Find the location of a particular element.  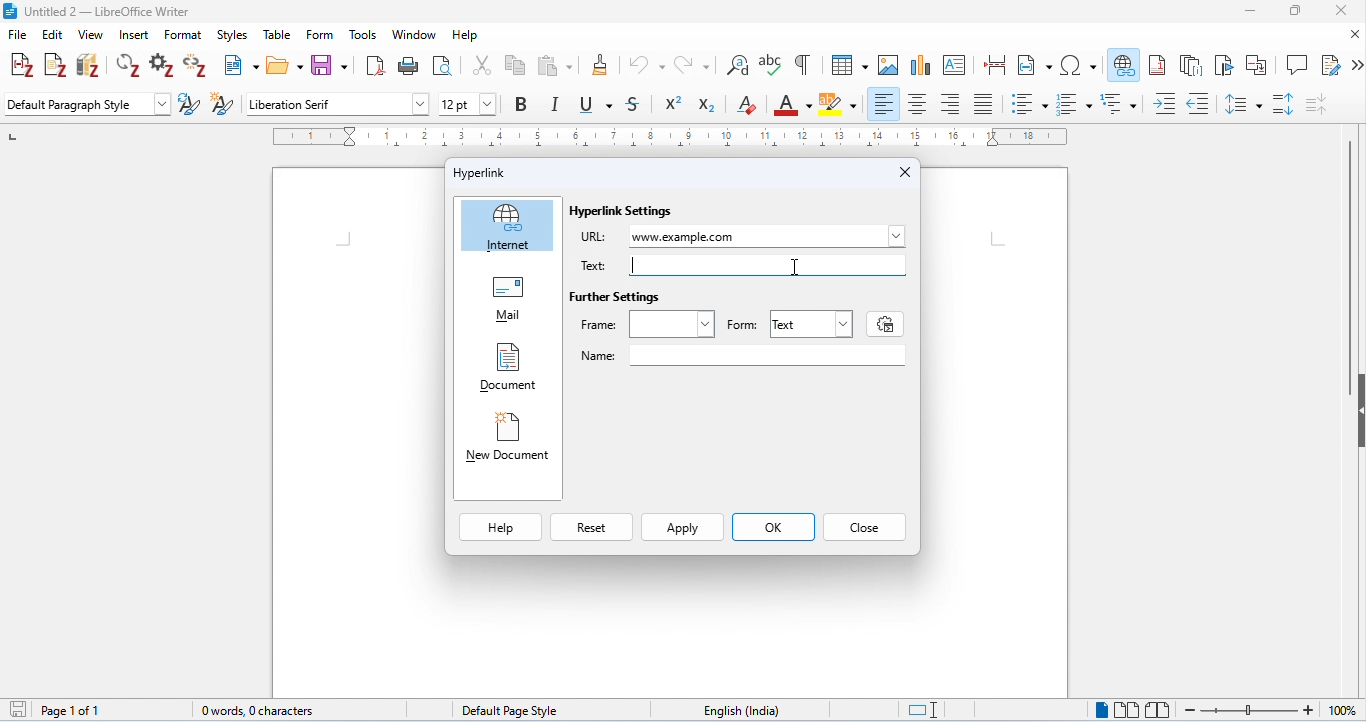

Form: | is located at coordinates (742, 322).